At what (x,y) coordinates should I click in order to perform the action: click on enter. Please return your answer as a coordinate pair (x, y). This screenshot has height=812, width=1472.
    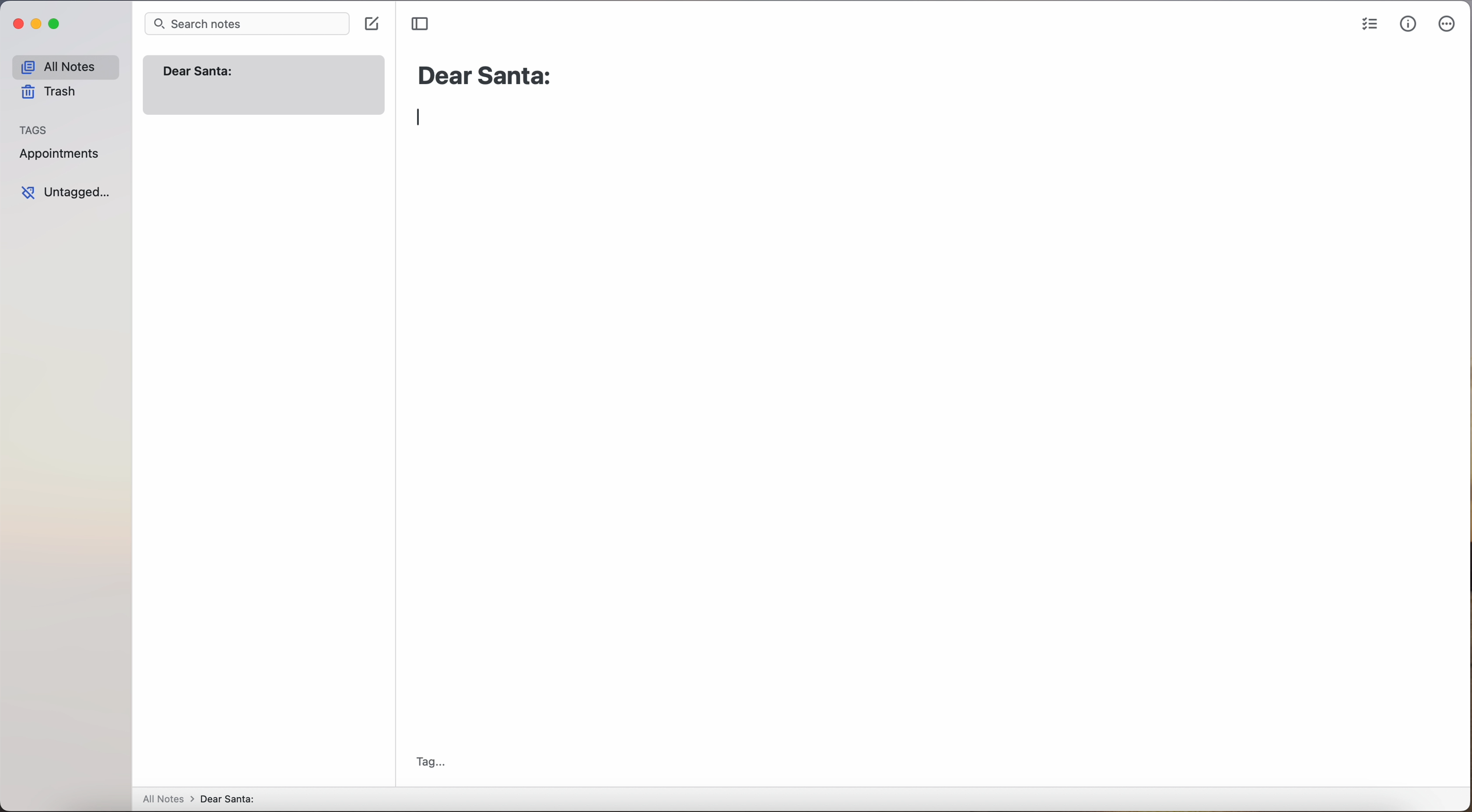
    Looking at the image, I should click on (421, 119).